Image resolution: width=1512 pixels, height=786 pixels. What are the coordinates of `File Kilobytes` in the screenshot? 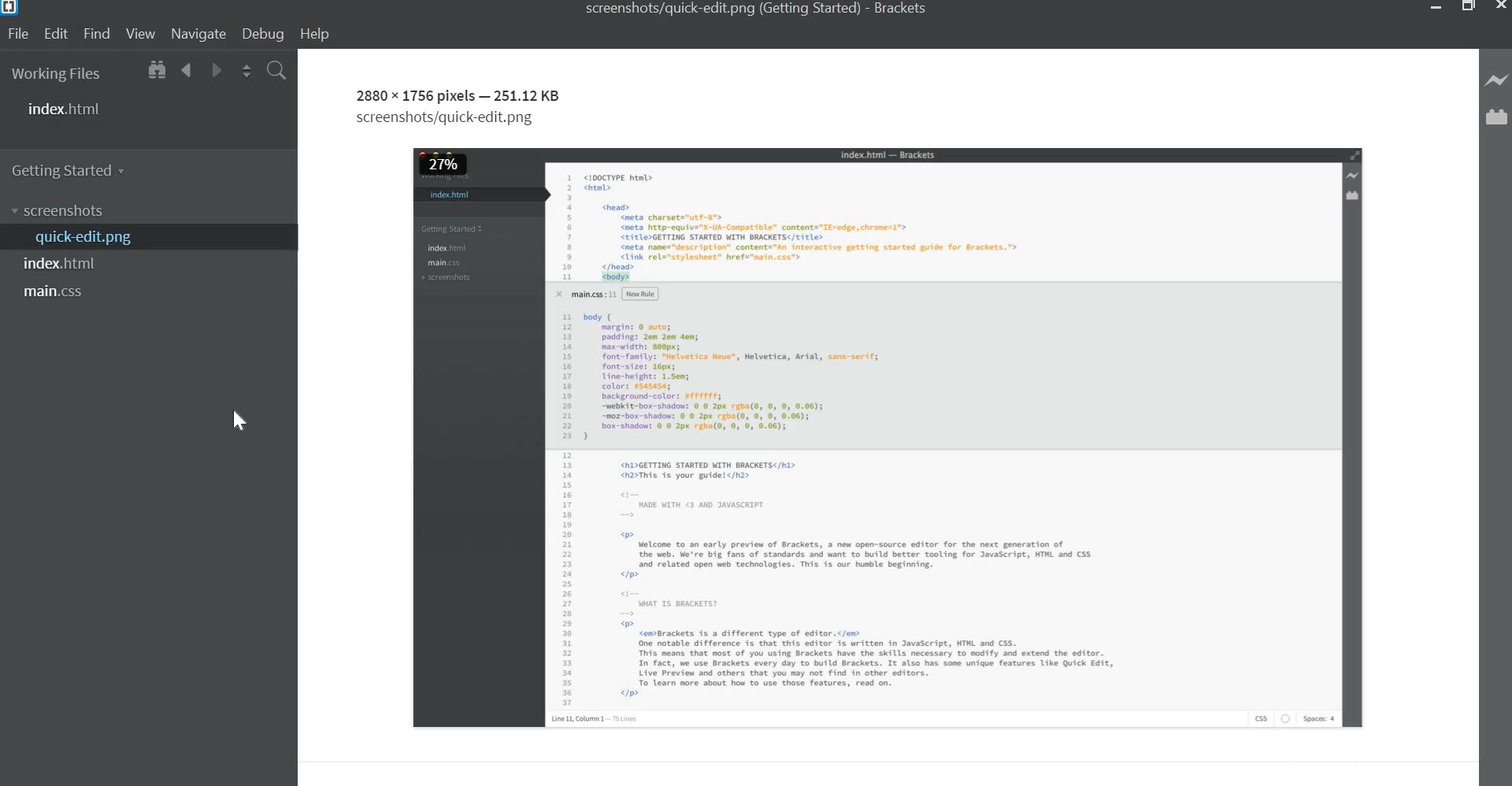 It's located at (530, 96).